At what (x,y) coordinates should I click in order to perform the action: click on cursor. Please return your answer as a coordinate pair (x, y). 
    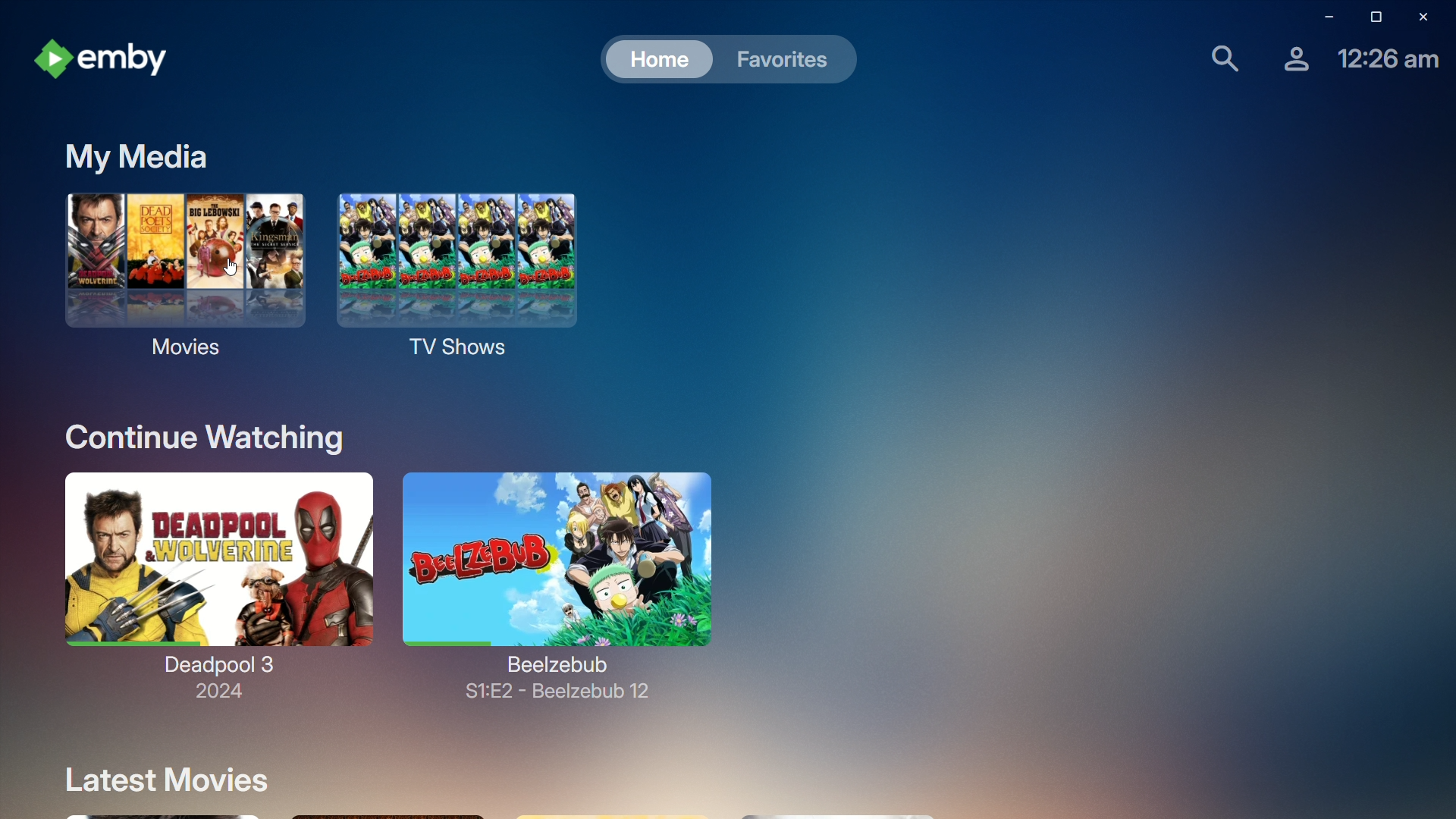
    Looking at the image, I should click on (230, 266).